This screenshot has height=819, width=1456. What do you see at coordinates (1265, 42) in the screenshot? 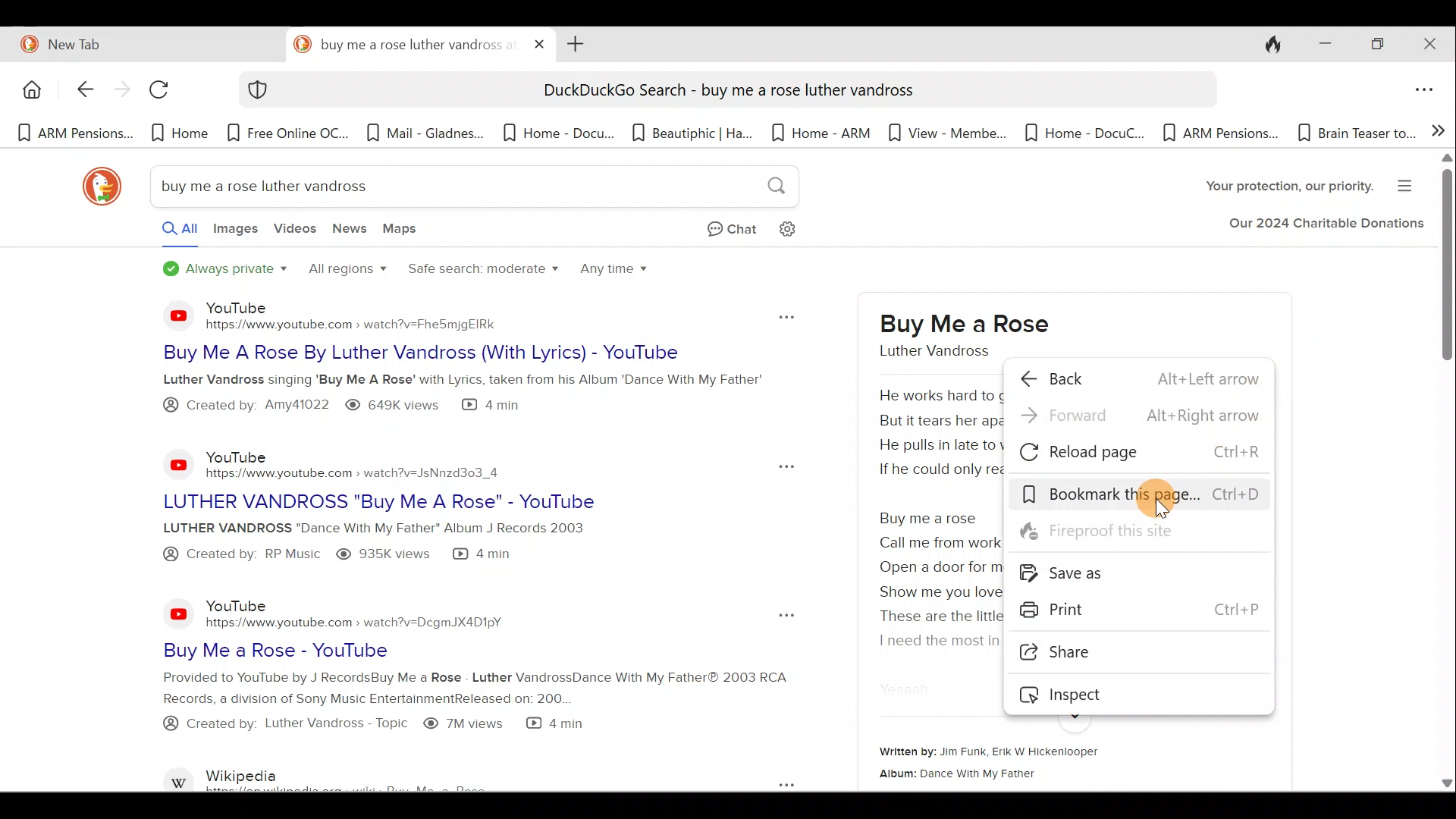
I see `Close tabs and clear data` at bounding box center [1265, 42].